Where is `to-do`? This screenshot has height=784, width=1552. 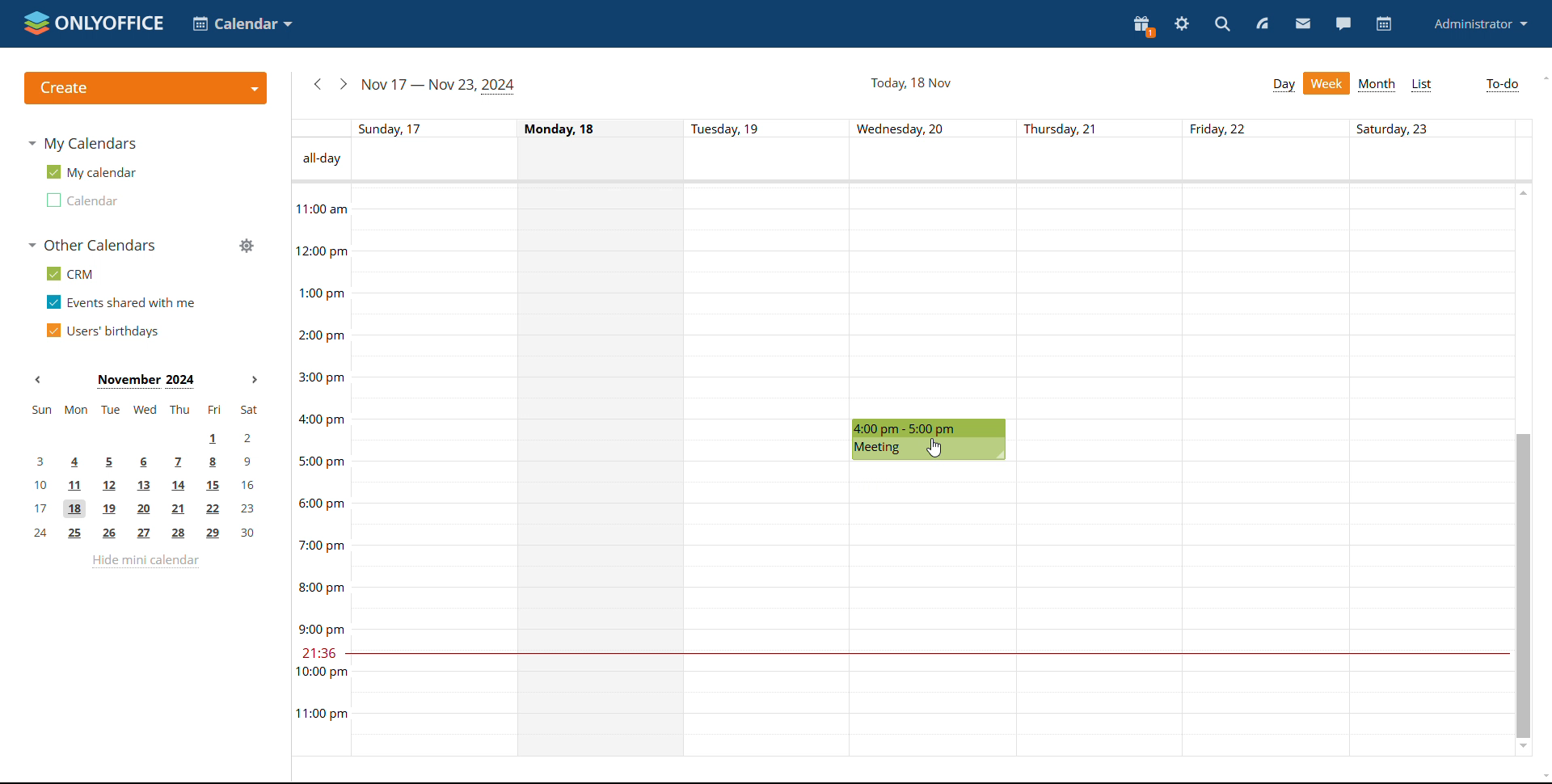
to-do is located at coordinates (1503, 86).